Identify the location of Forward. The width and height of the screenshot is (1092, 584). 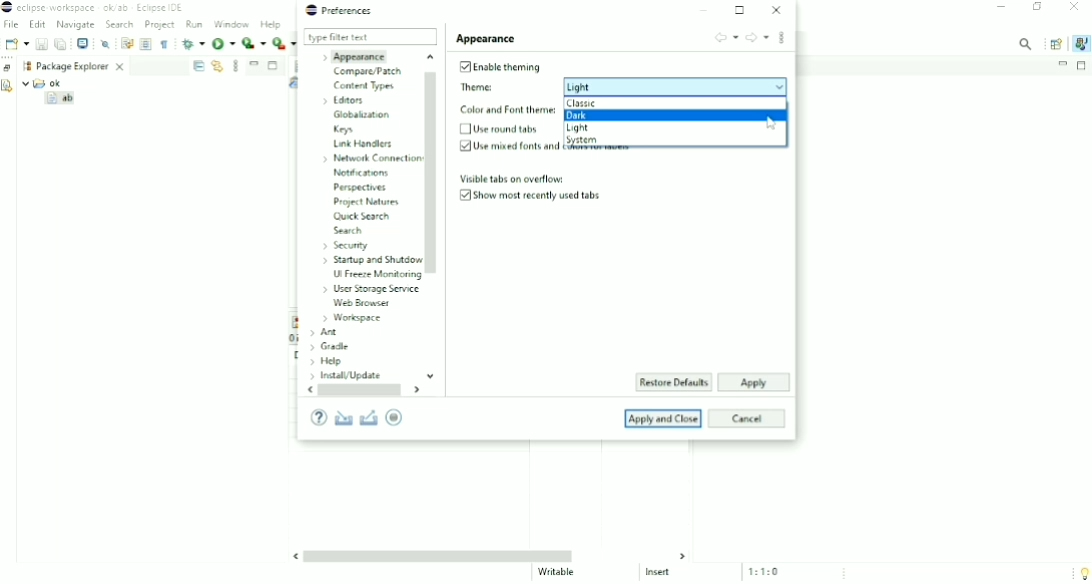
(758, 38).